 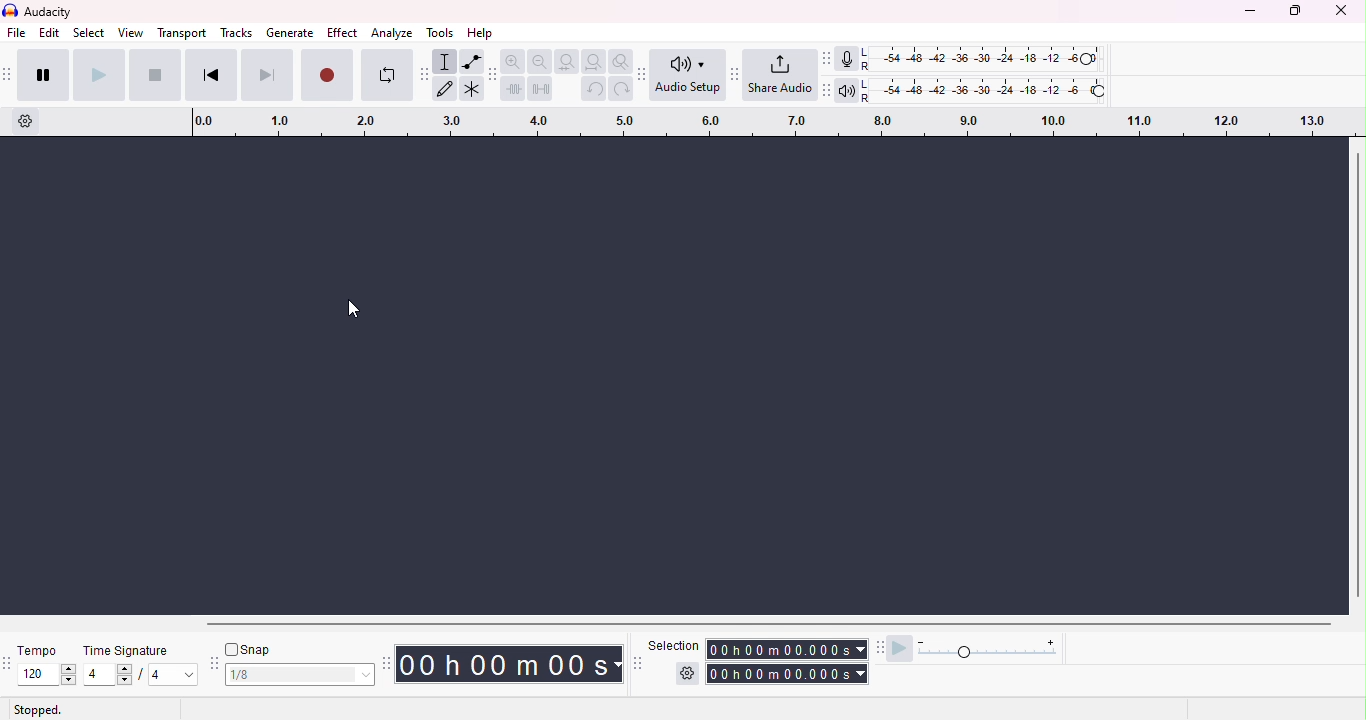 What do you see at coordinates (39, 674) in the screenshot?
I see `tempo selection` at bounding box center [39, 674].